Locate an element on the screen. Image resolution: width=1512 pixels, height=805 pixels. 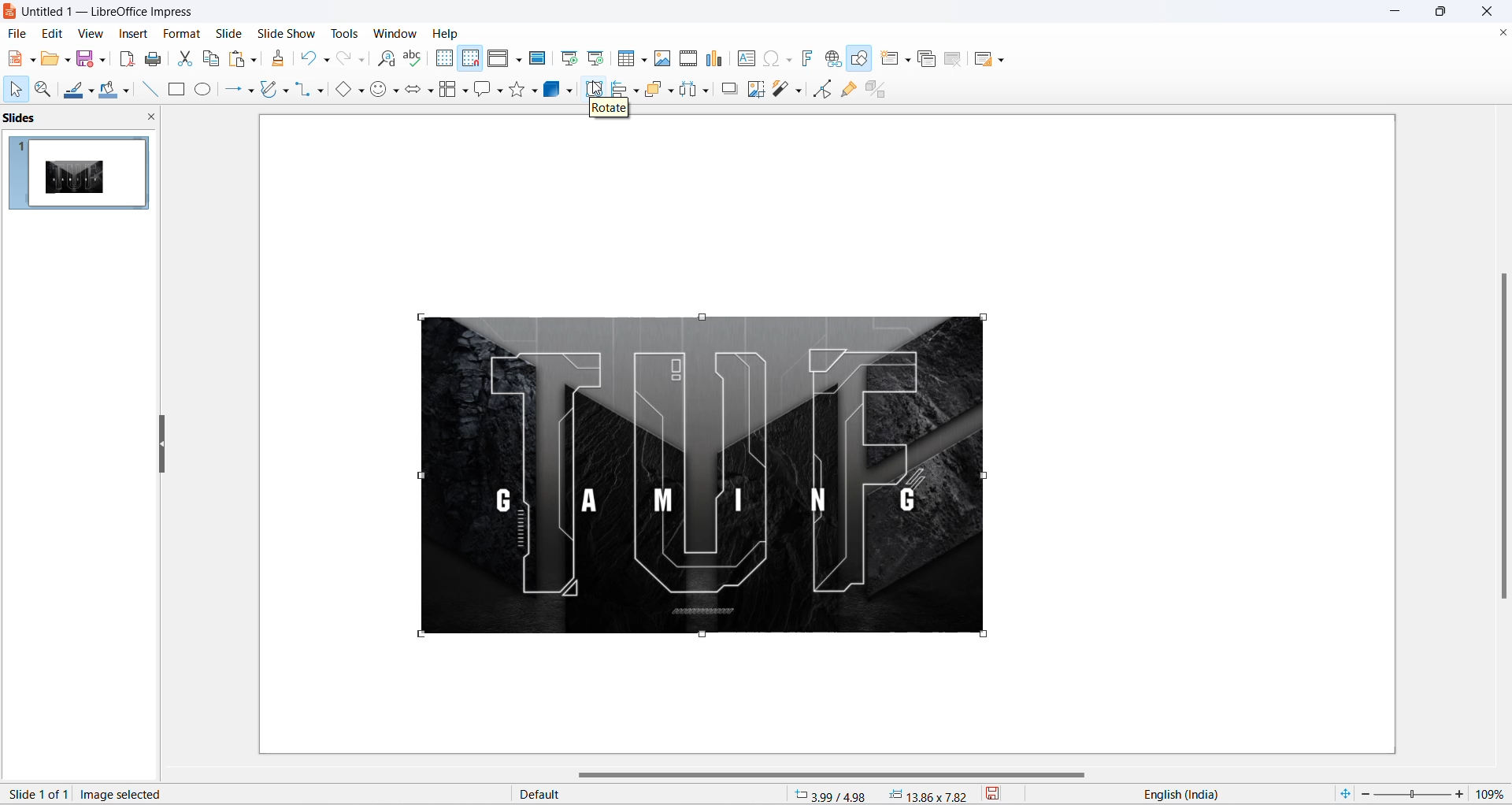
slide master type is located at coordinates (651, 795).